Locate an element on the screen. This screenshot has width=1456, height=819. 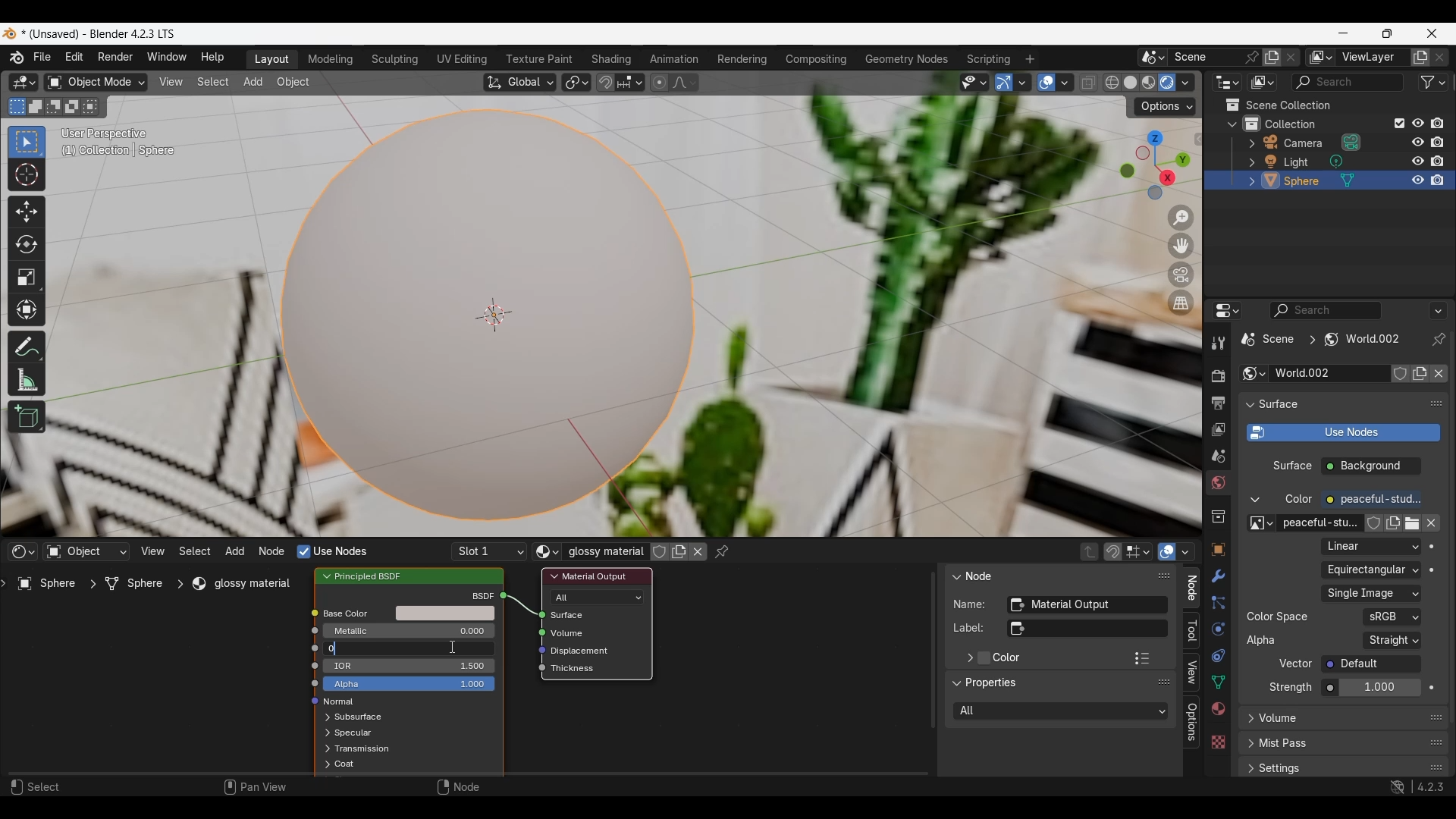
Geometry nodes workspace is located at coordinates (906, 59).